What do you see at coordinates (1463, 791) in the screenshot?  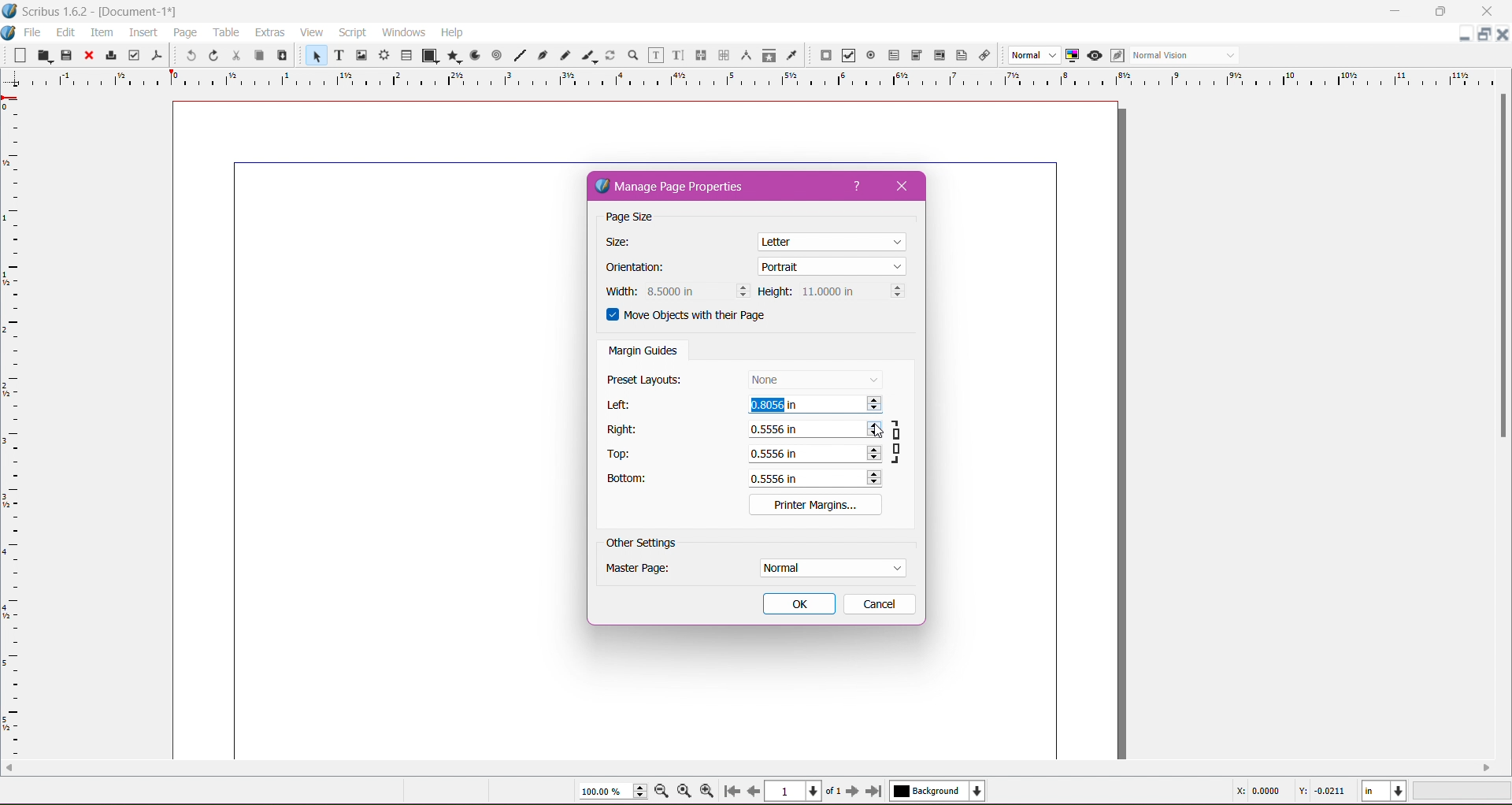 I see `Zoom Level` at bounding box center [1463, 791].